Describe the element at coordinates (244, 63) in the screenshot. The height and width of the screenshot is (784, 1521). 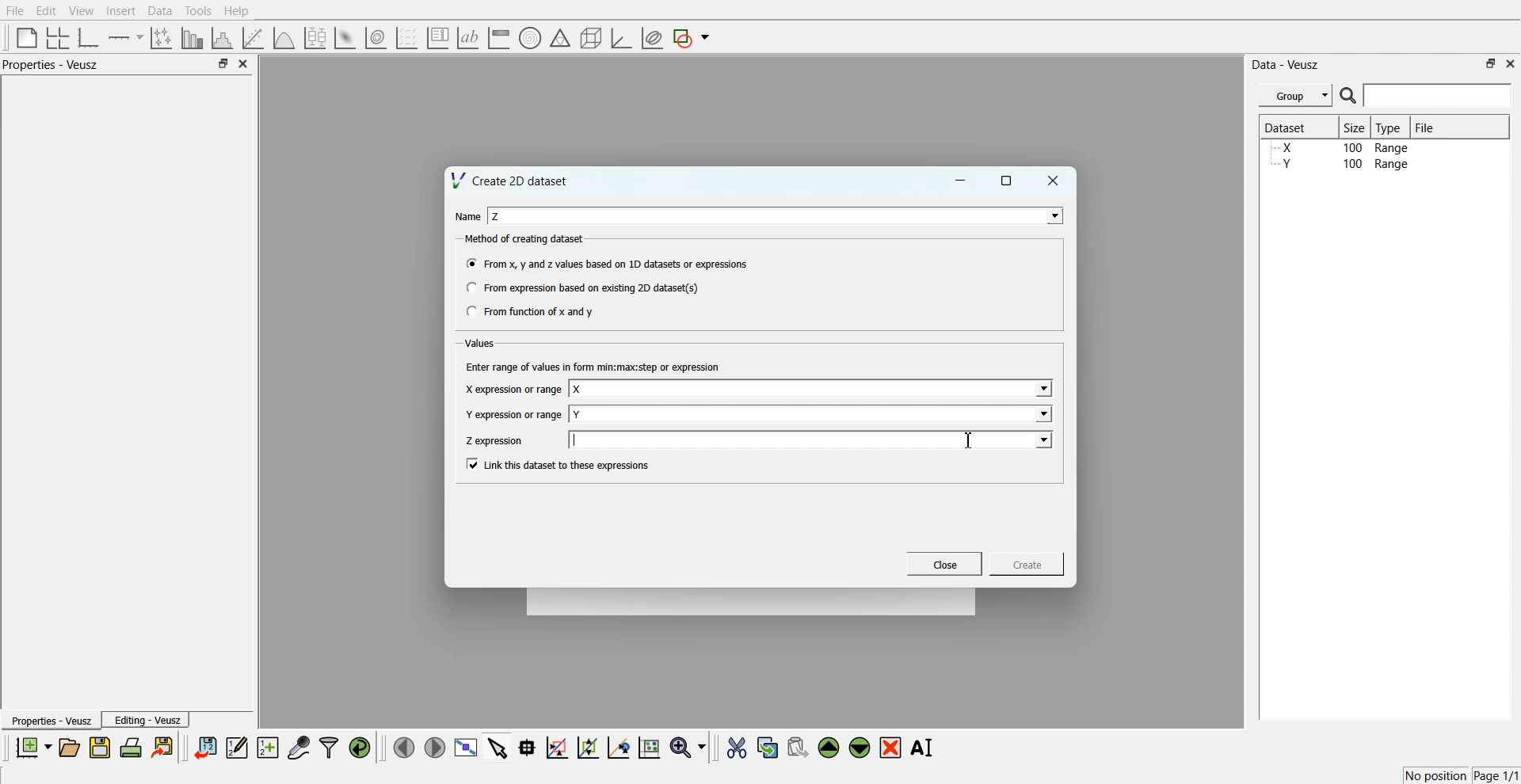
I see `Close` at that location.